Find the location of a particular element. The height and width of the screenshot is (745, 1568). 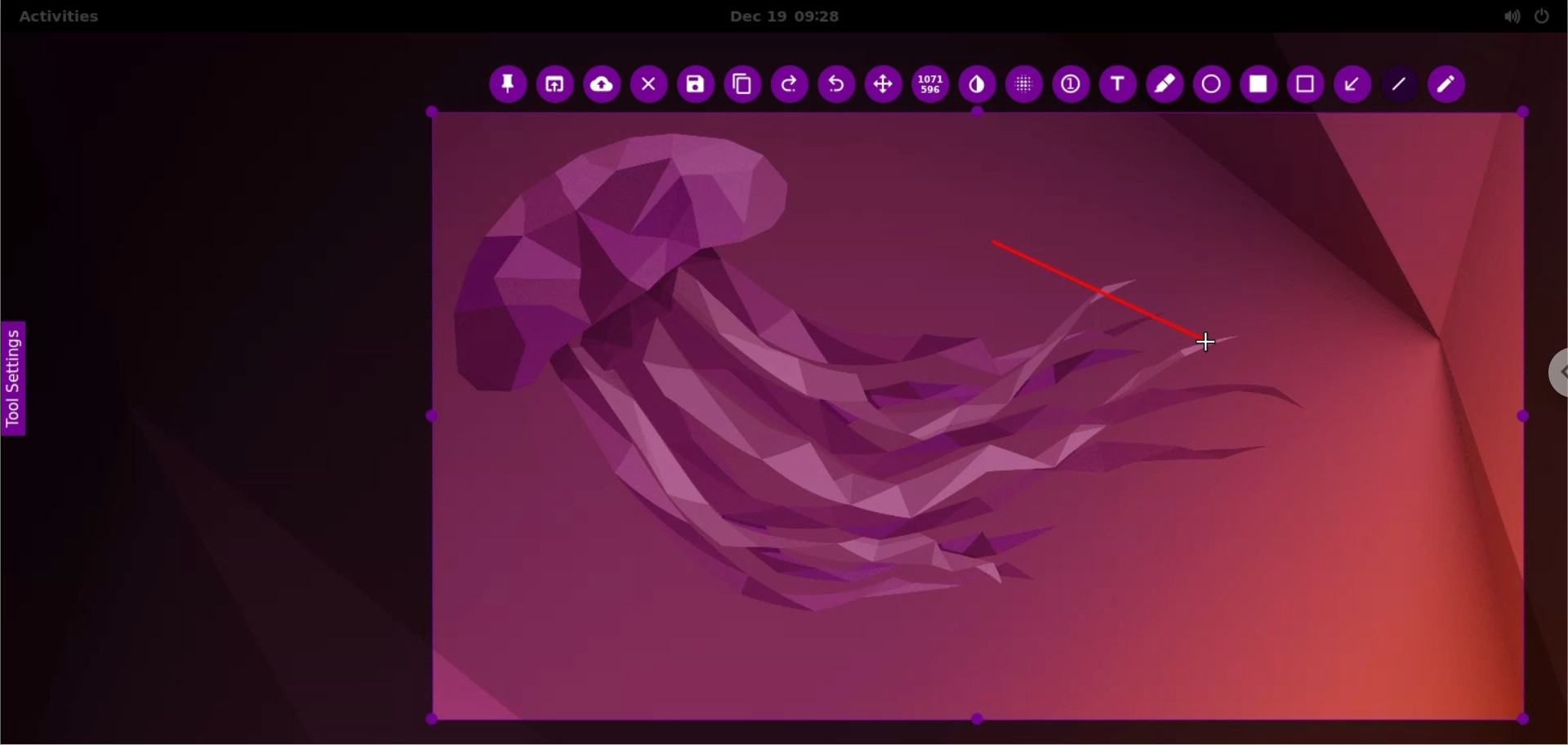

pencil is located at coordinates (1448, 85).